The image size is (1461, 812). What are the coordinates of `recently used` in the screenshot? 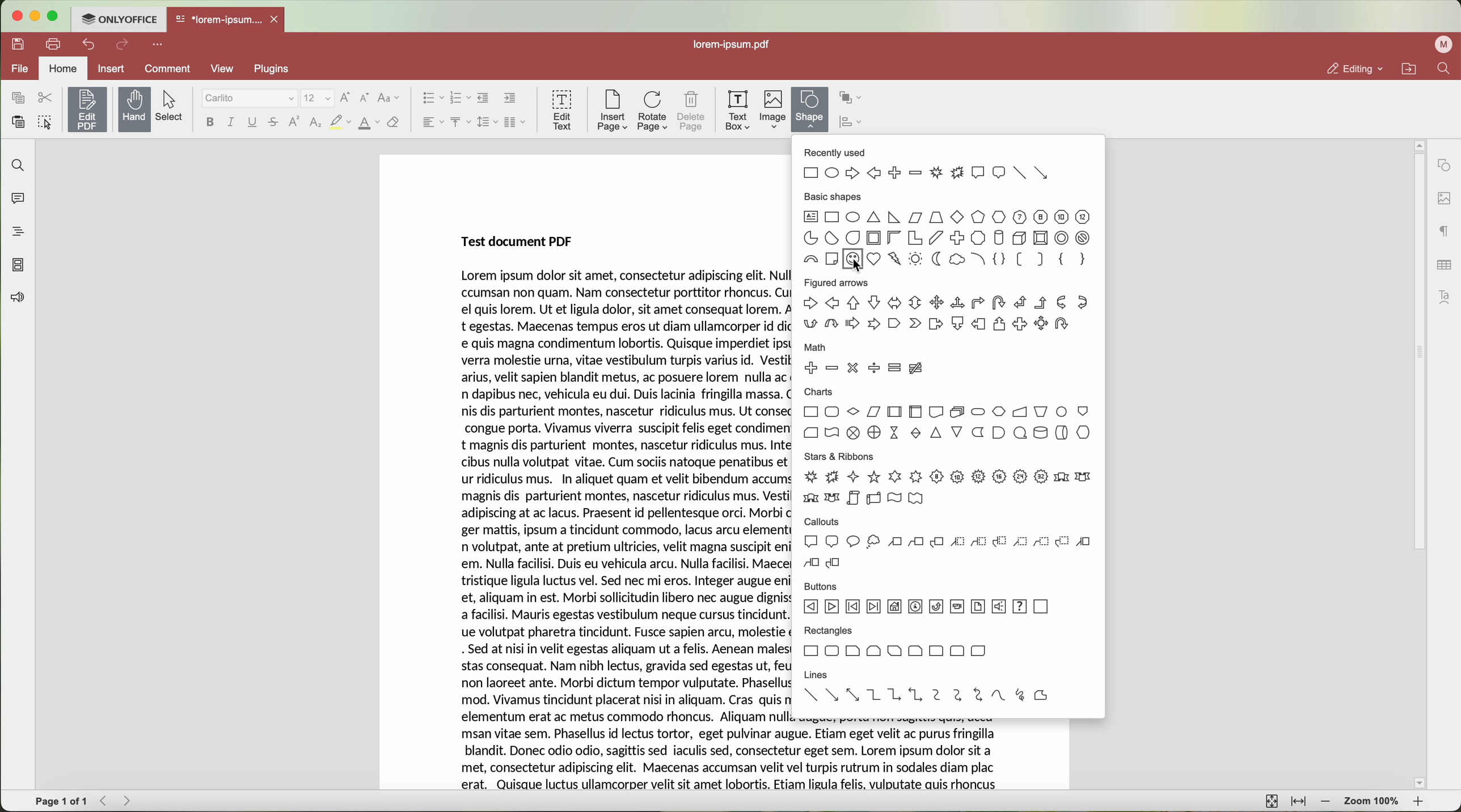 It's located at (928, 165).